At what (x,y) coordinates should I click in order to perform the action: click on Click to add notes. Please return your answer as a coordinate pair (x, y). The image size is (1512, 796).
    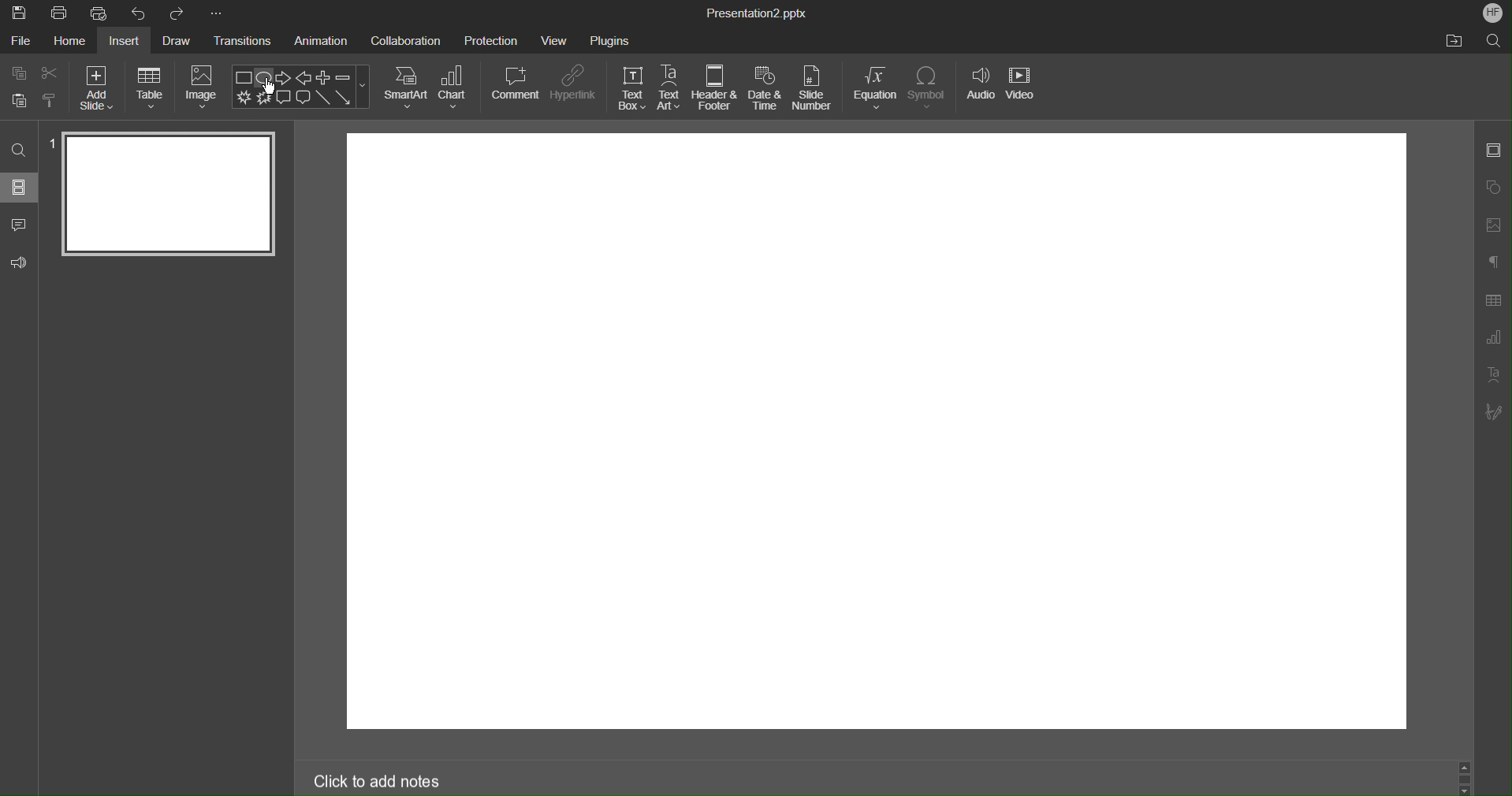
    Looking at the image, I should click on (394, 779).